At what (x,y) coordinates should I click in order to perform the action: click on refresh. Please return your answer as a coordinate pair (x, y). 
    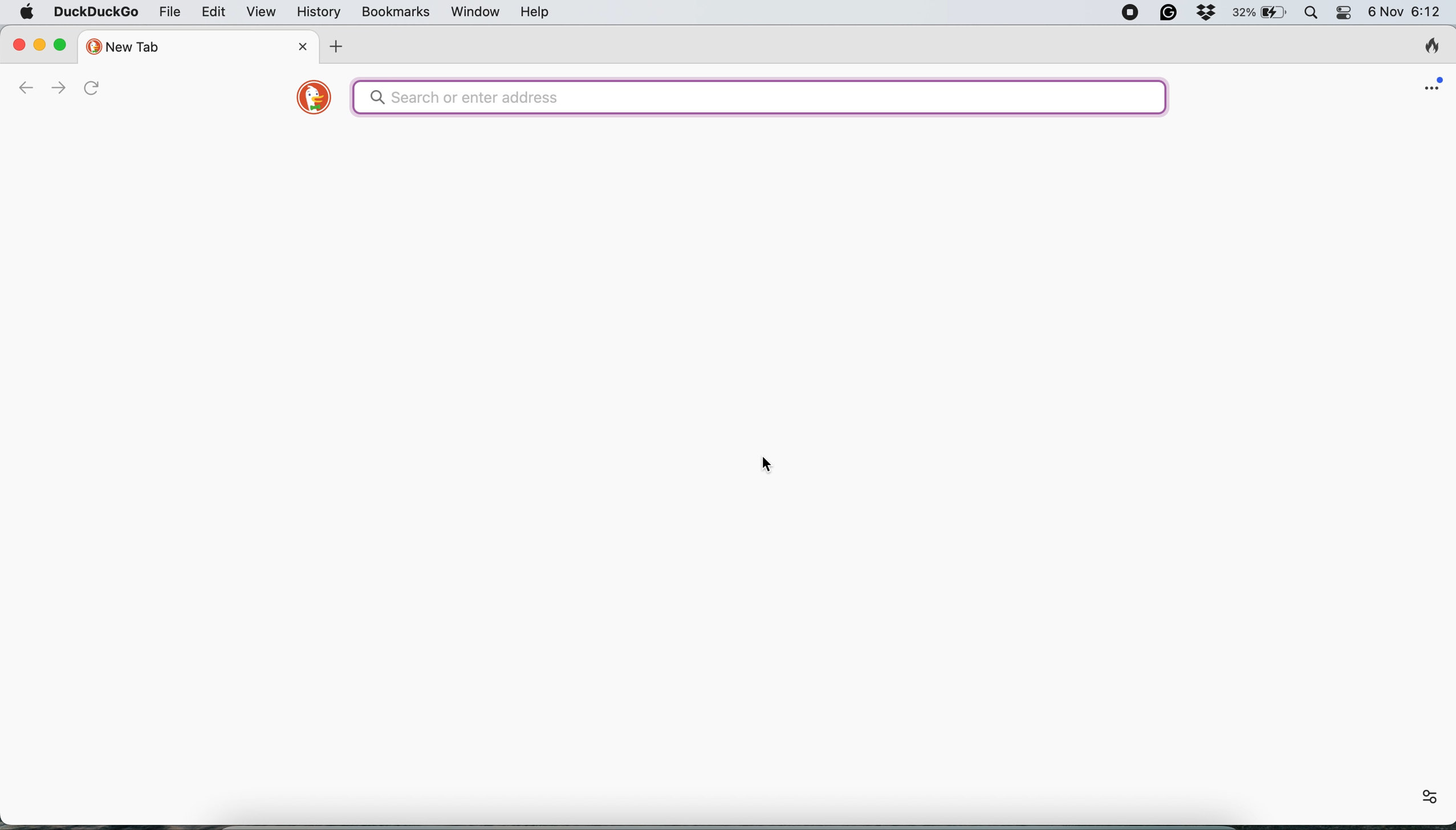
    Looking at the image, I should click on (96, 88).